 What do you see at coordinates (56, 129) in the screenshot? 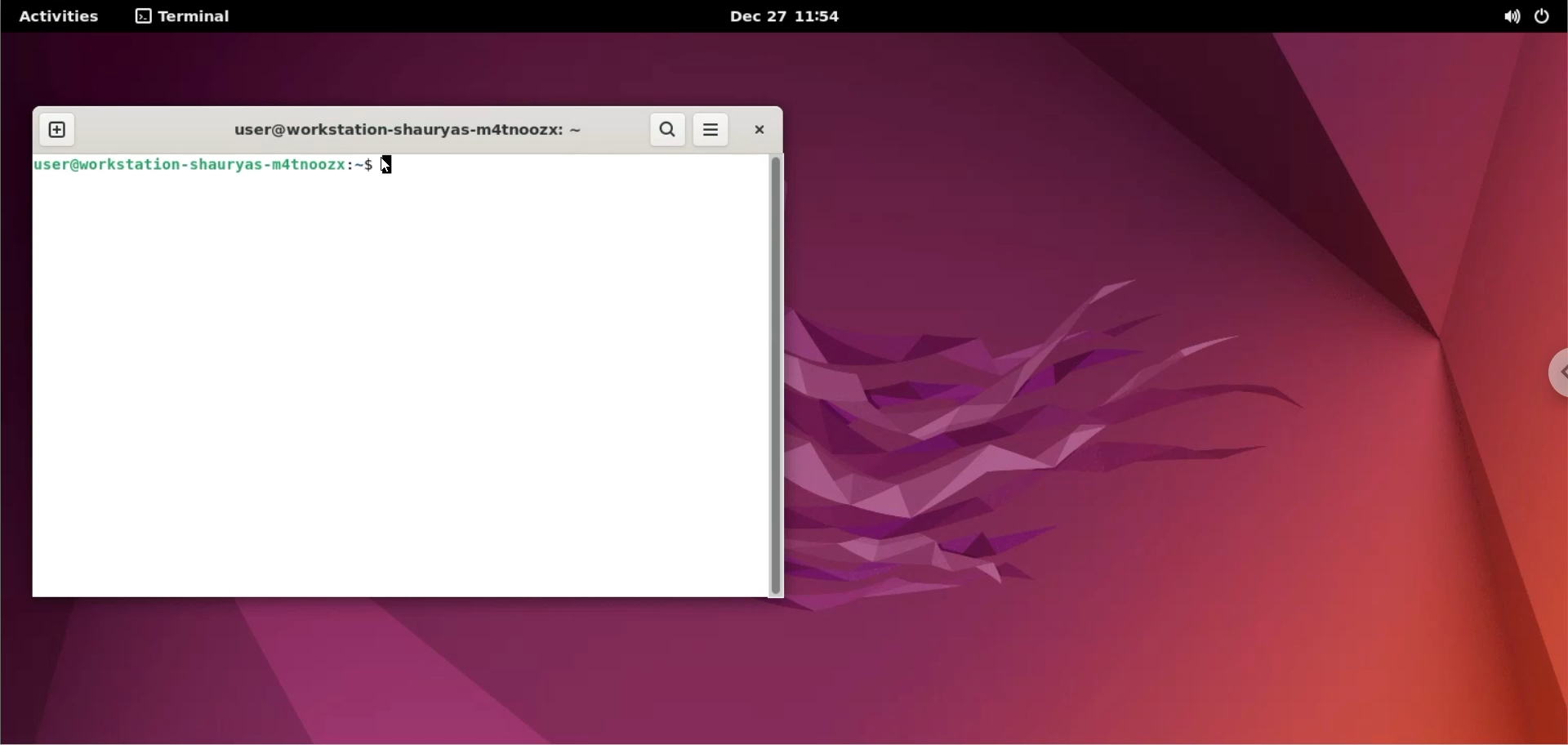
I see `new tab` at bounding box center [56, 129].